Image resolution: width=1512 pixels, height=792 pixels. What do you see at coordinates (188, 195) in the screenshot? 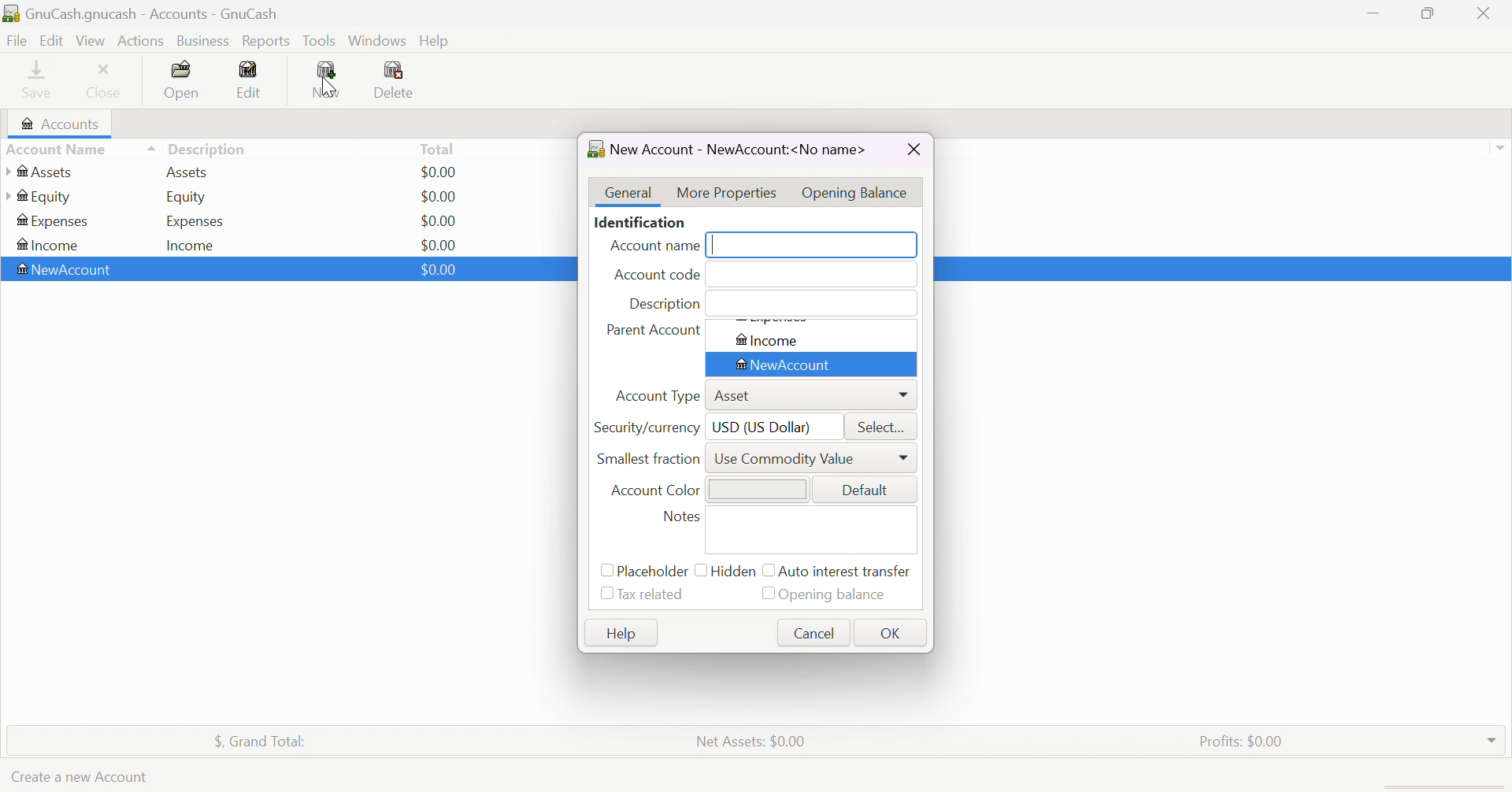
I see `Equity` at bounding box center [188, 195].